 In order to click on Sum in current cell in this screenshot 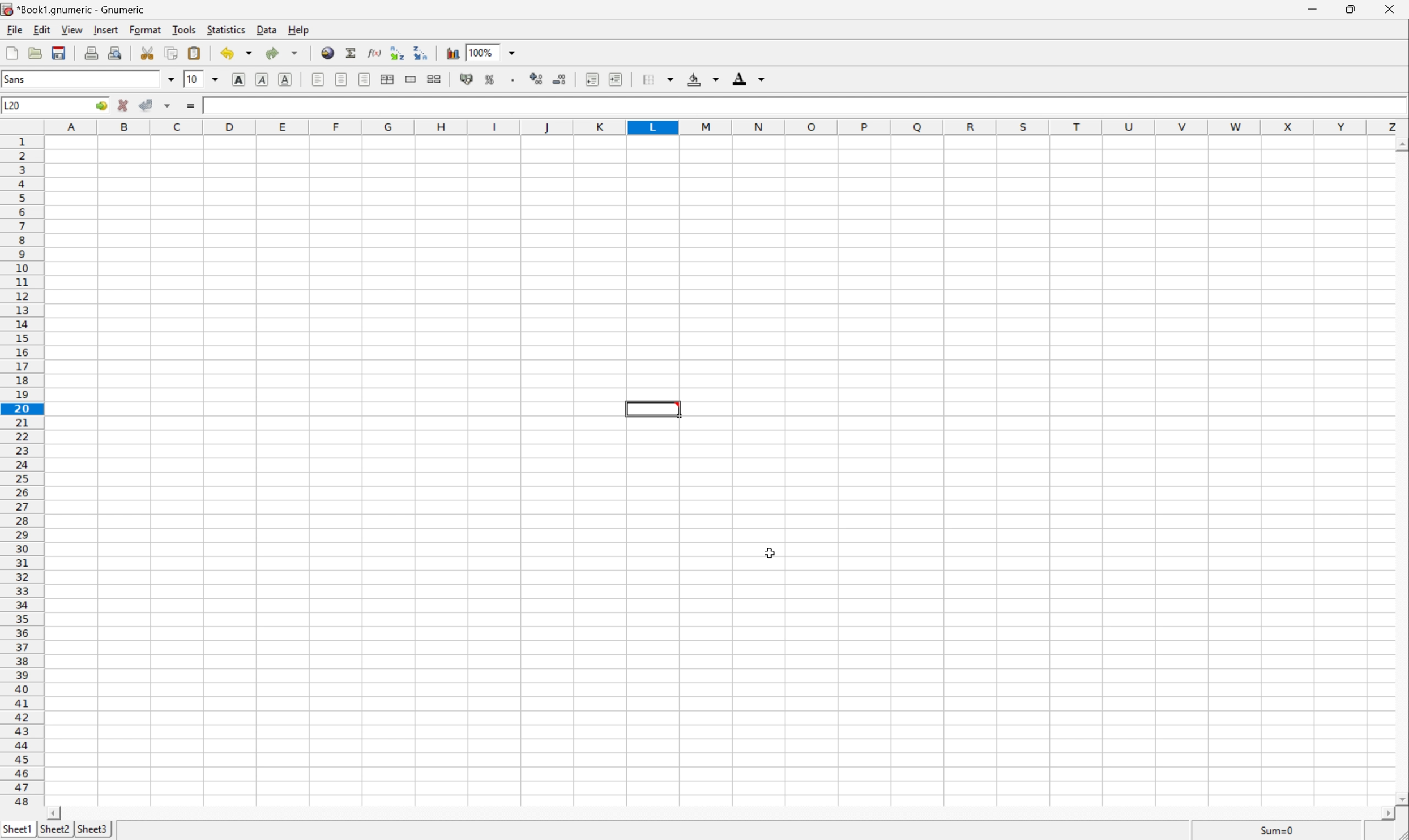, I will do `click(352, 52)`.